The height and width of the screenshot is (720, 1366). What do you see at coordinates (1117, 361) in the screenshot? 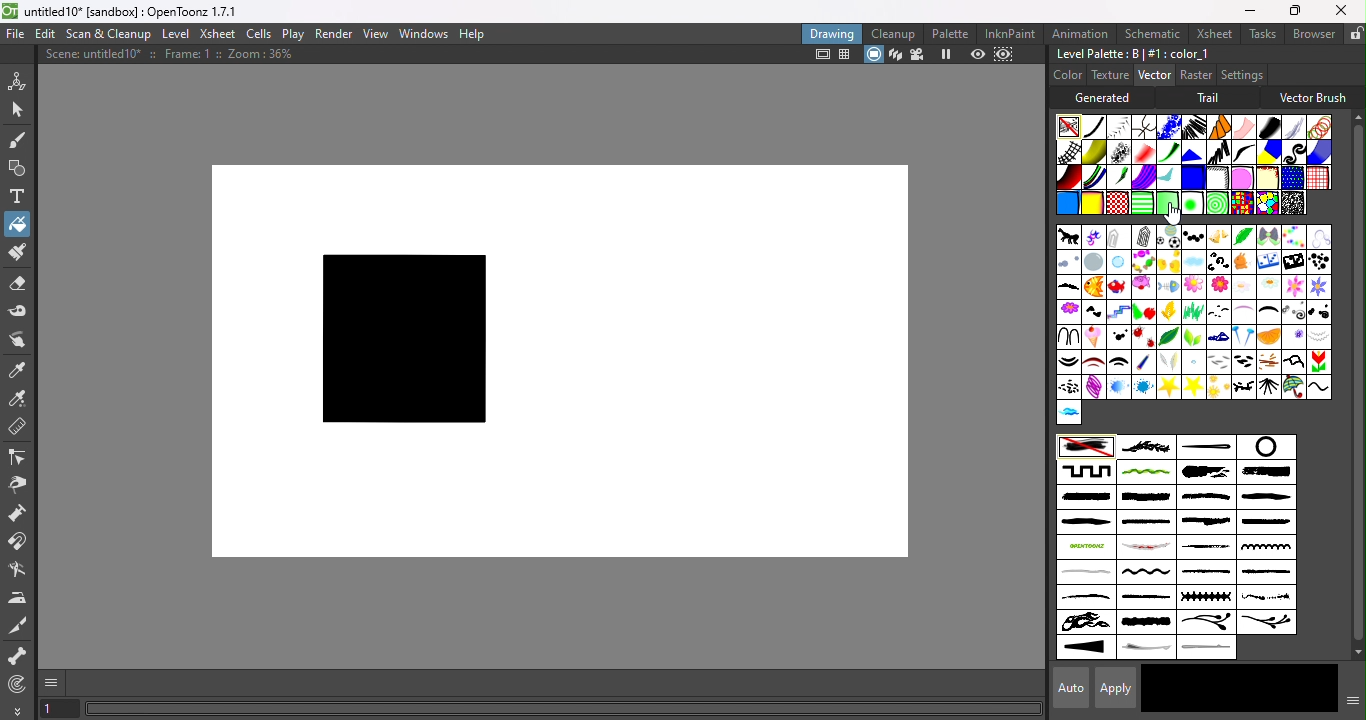
I see `Pare2` at bounding box center [1117, 361].